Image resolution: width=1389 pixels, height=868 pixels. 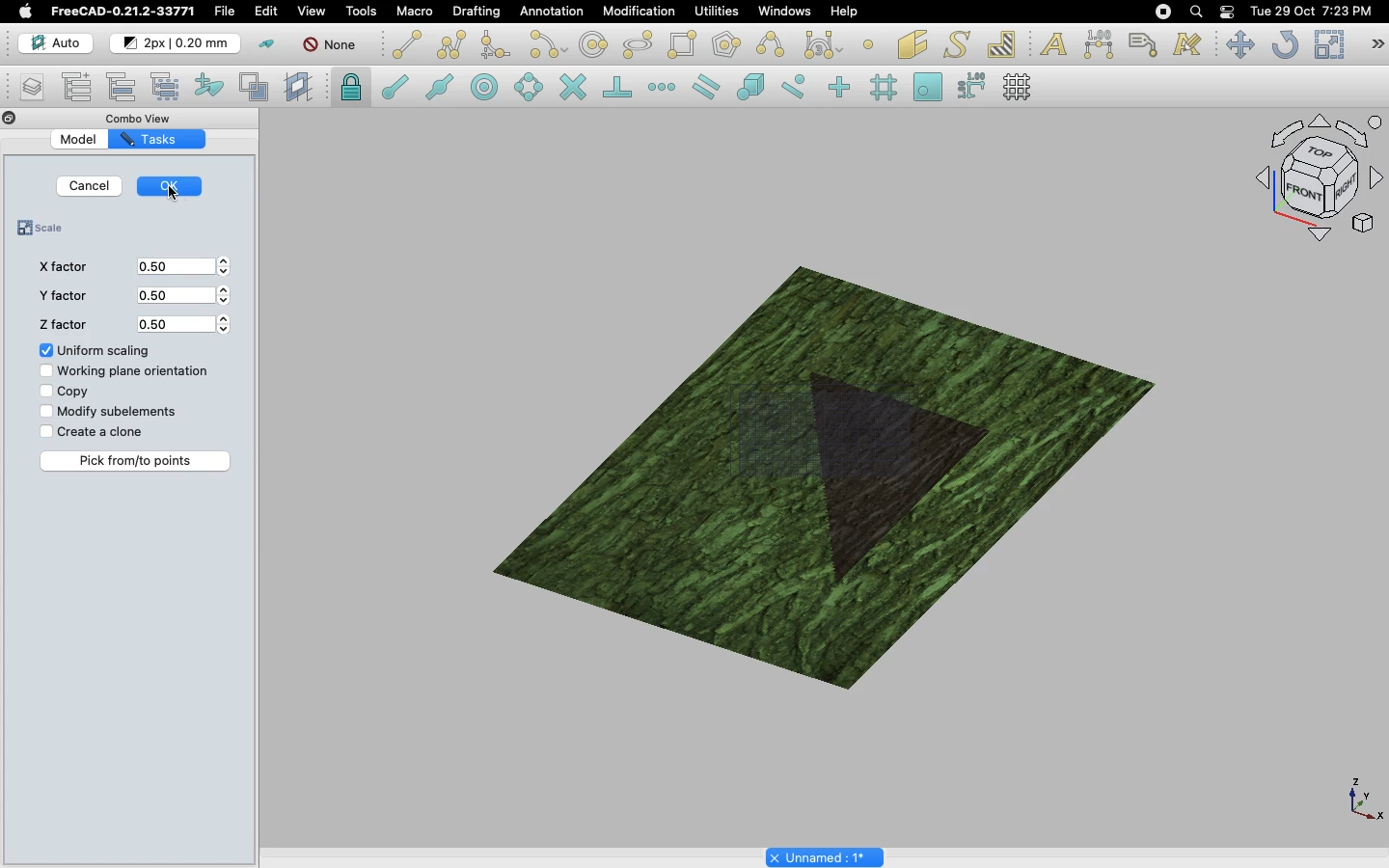 What do you see at coordinates (308, 12) in the screenshot?
I see `View` at bounding box center [308, 12].